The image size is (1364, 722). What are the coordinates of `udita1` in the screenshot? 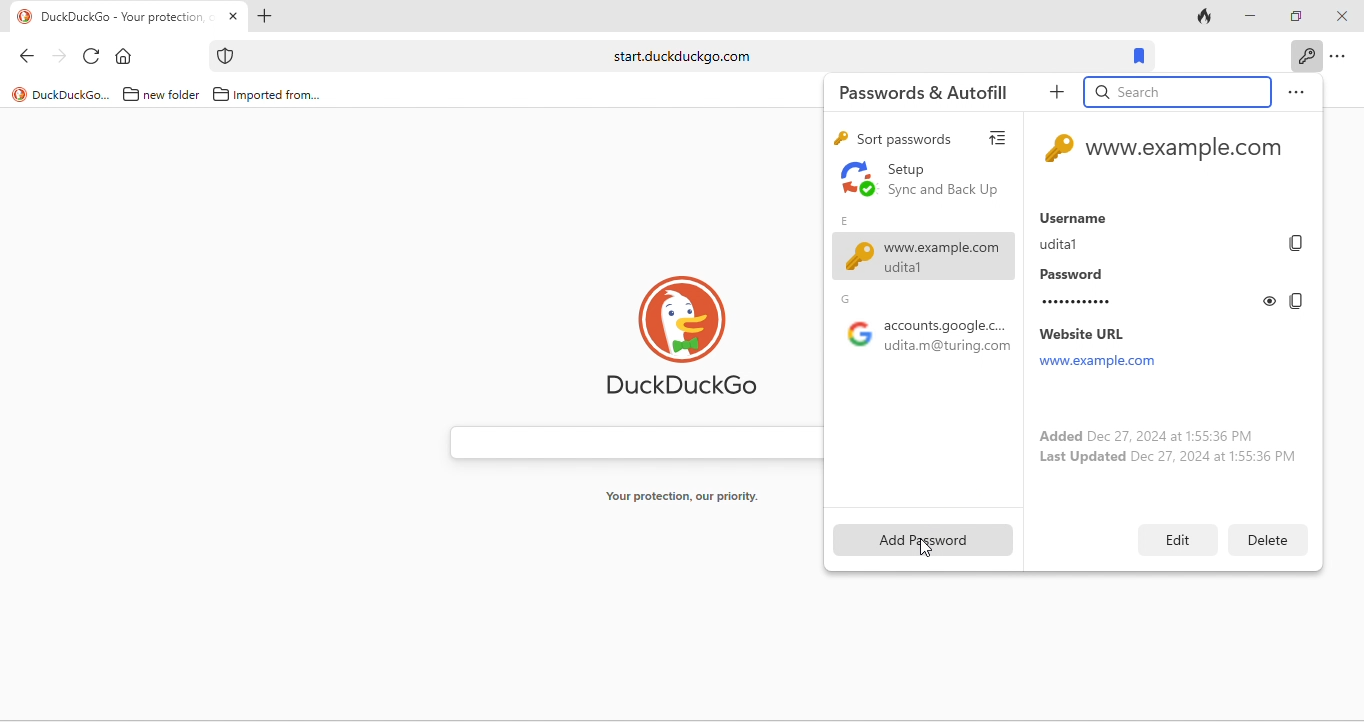 It's located at (1062, 245).